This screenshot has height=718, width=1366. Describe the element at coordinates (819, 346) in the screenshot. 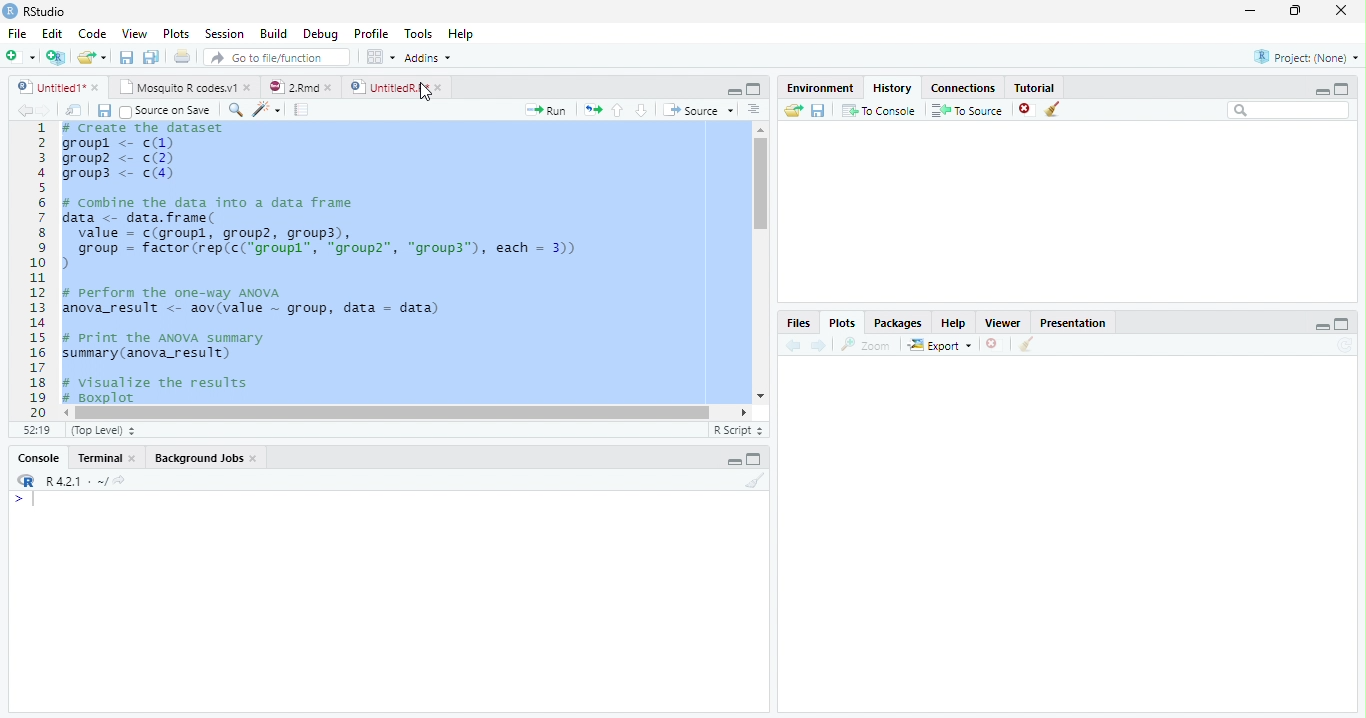

I see `Next` at that location.